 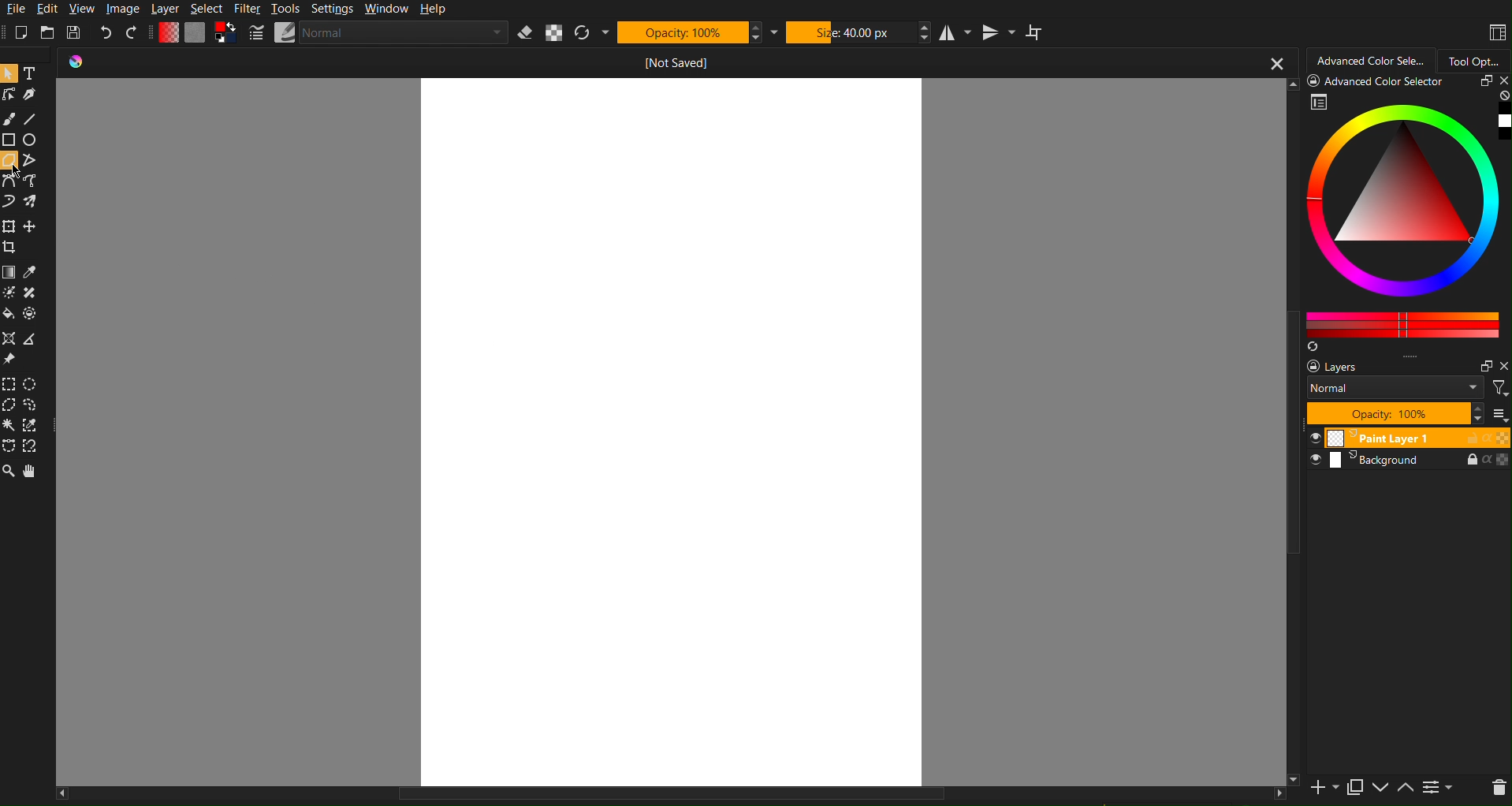 What do you see at coordinates (670, 432) in the screenshot?
I see `workspace` at bounding box center [670, 432].